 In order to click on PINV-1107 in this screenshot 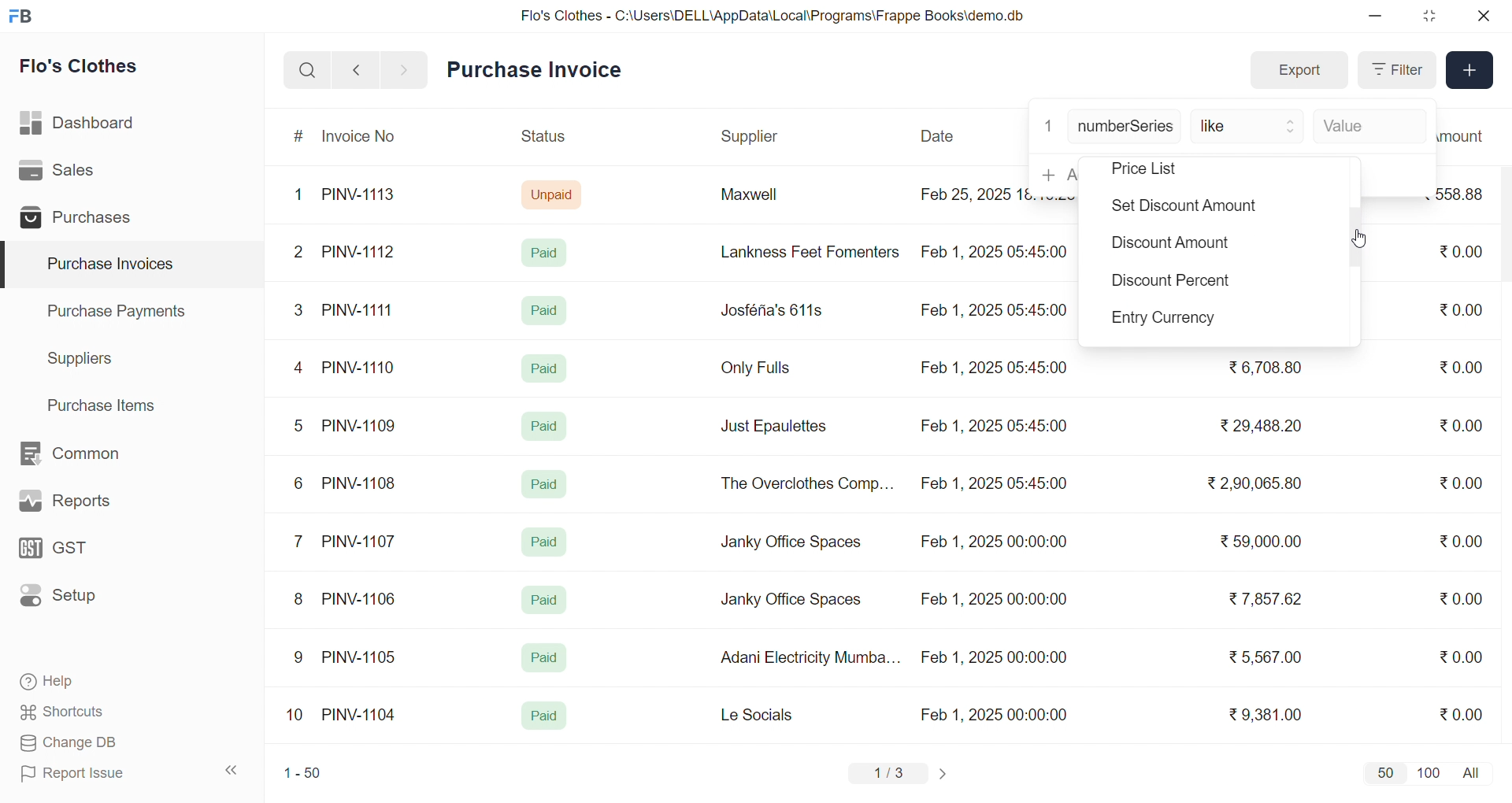, I will do `click(362, 542)`.